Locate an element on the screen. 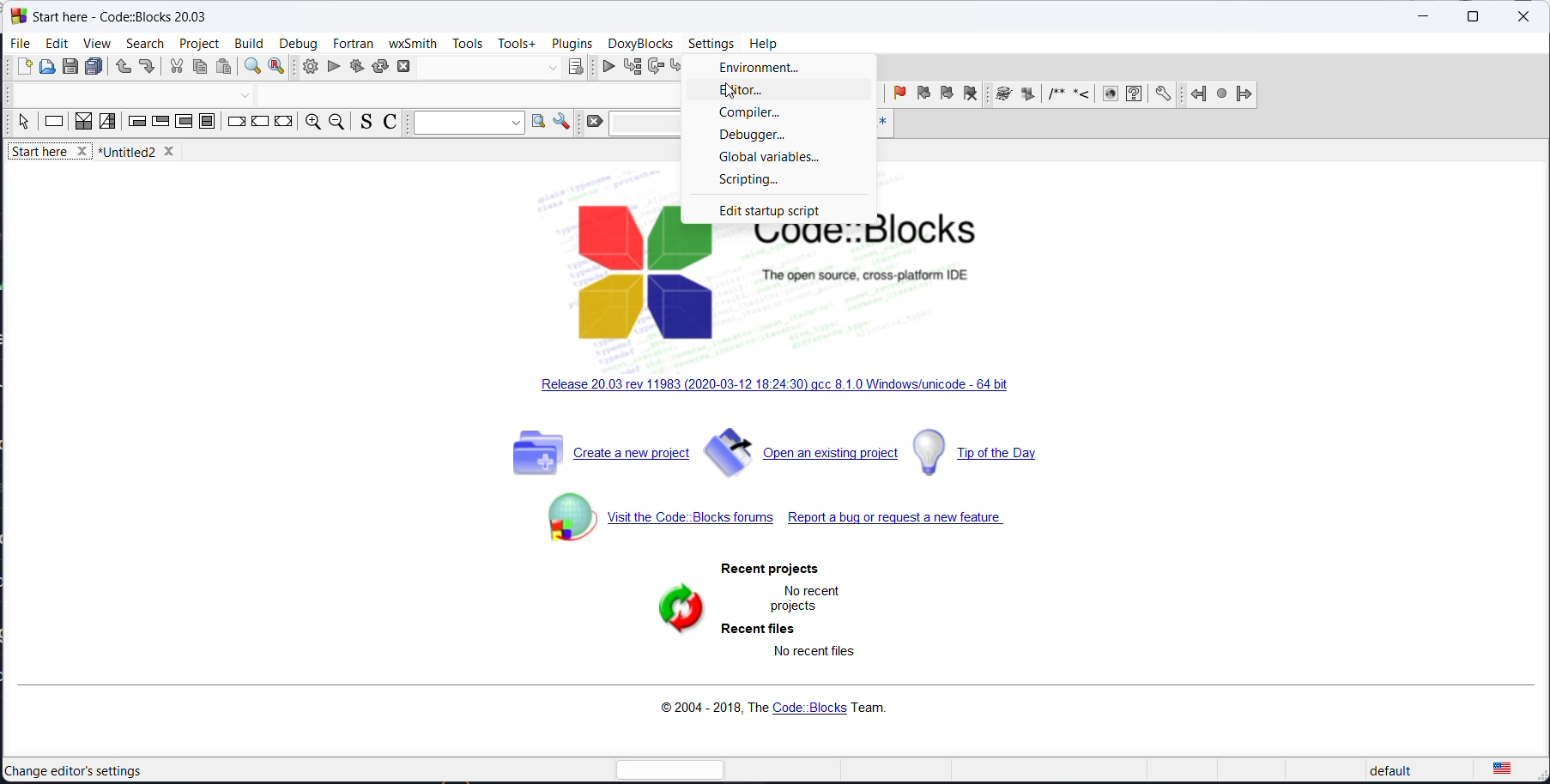  debugger is located at coordinates (773, 136).